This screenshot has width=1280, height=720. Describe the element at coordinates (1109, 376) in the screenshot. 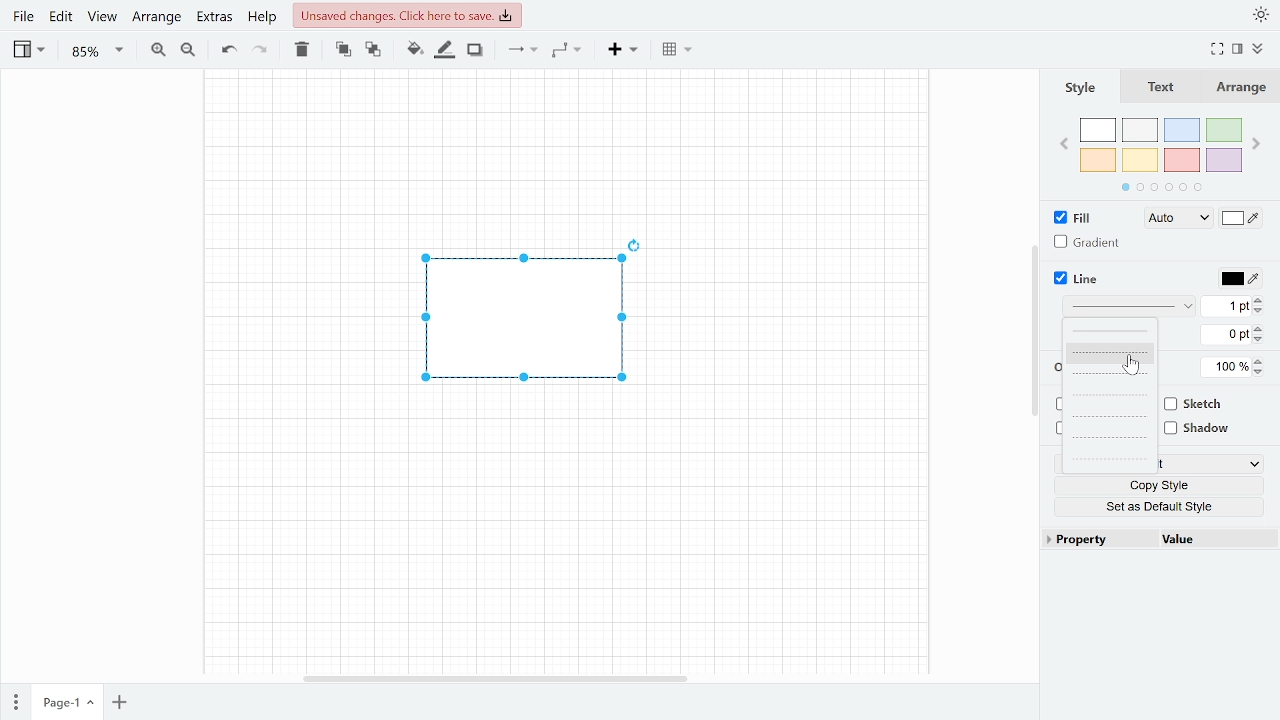

I see `dashed 2` at that location.